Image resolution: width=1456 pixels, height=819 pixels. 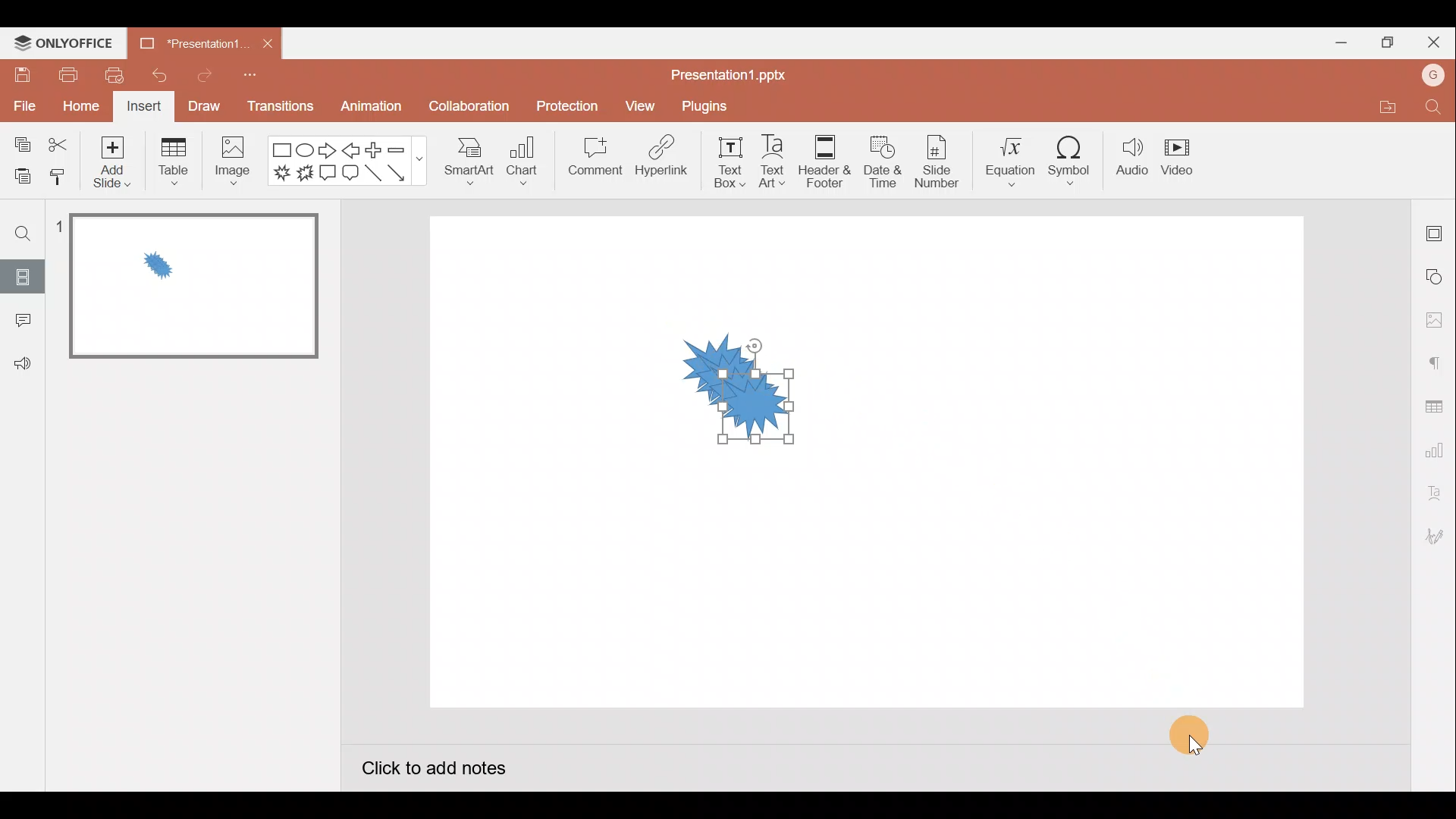 I want to click on Paragraph settings, so click(x=1436, y=359).